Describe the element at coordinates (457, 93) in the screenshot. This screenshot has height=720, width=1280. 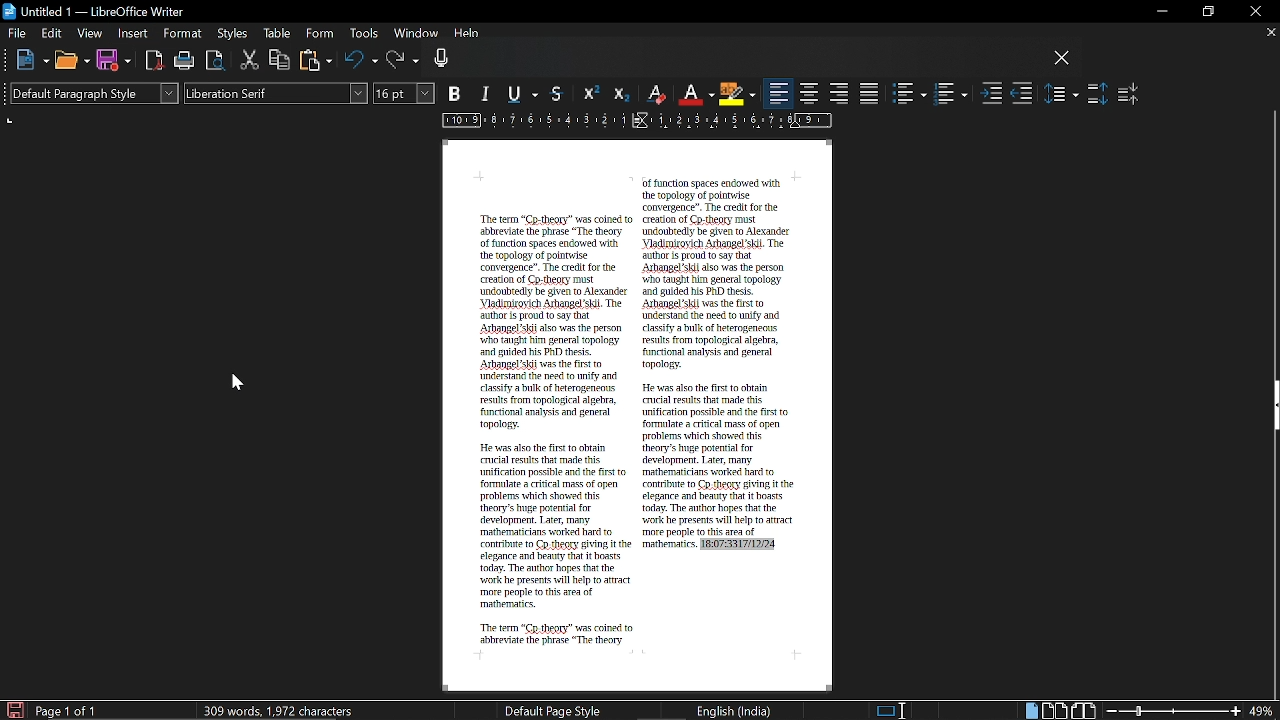
I see `BOld` at that location.